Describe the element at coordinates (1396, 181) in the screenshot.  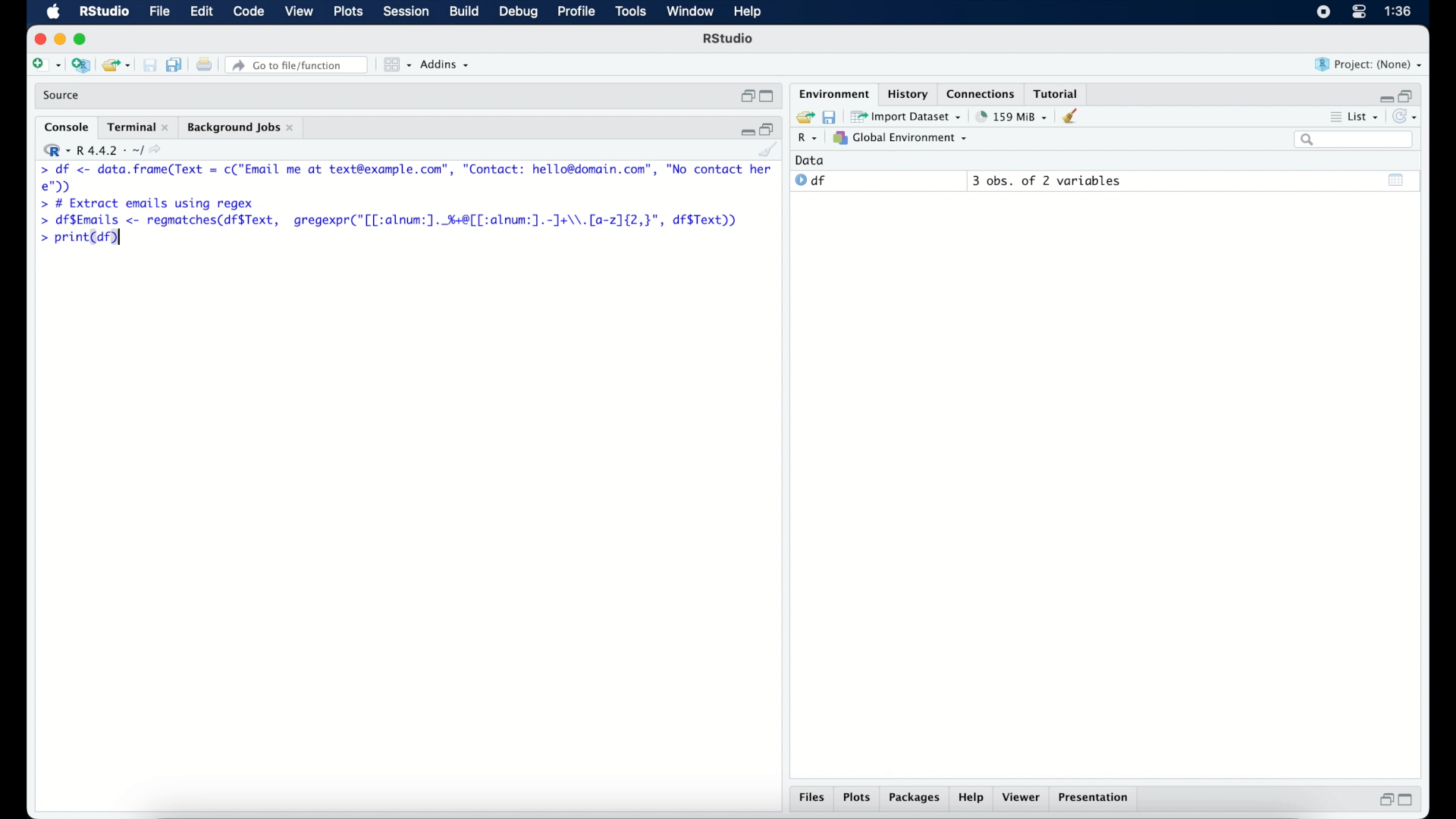
I see `show output window` at that location.